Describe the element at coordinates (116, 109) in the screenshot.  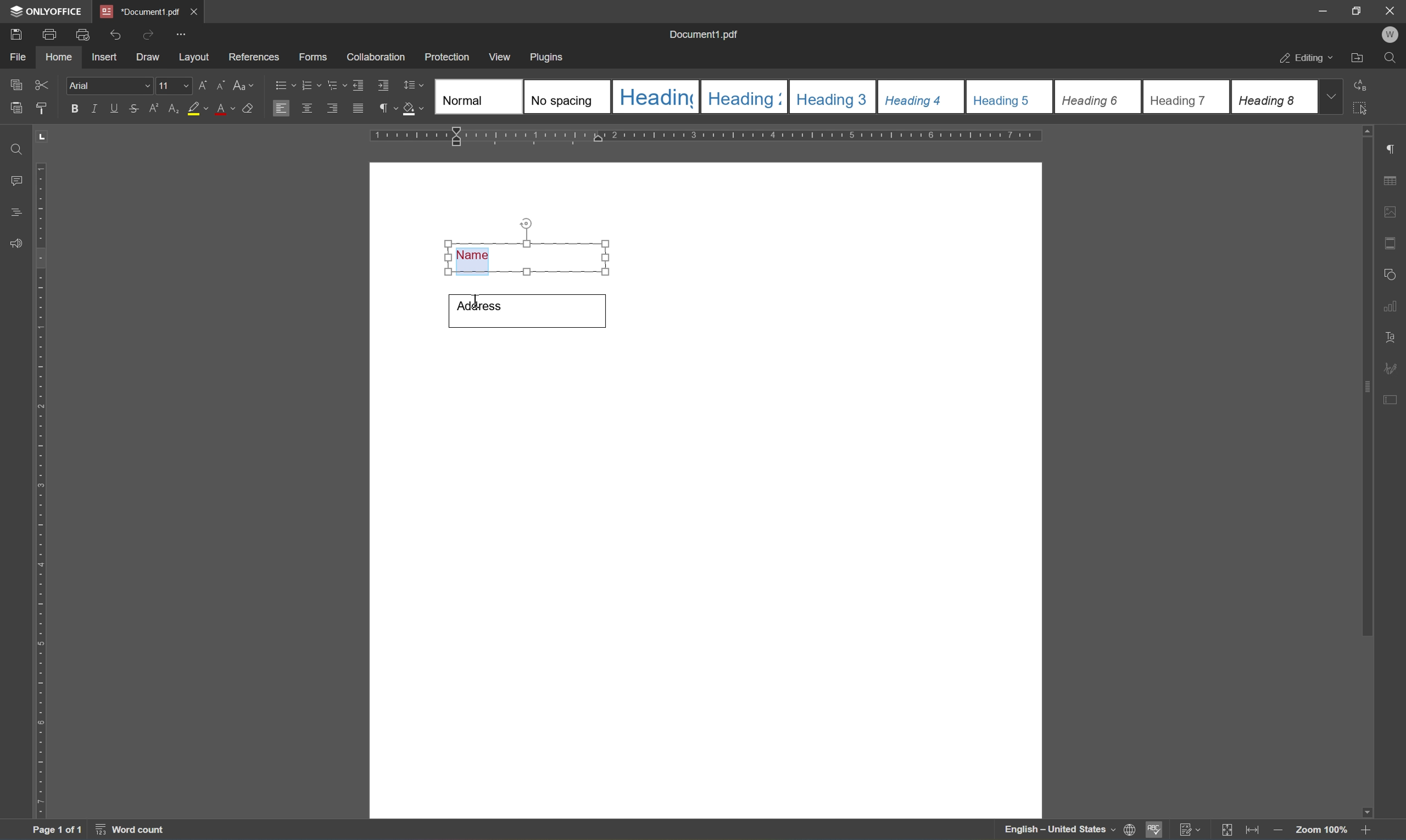
I see `underline` at that location.